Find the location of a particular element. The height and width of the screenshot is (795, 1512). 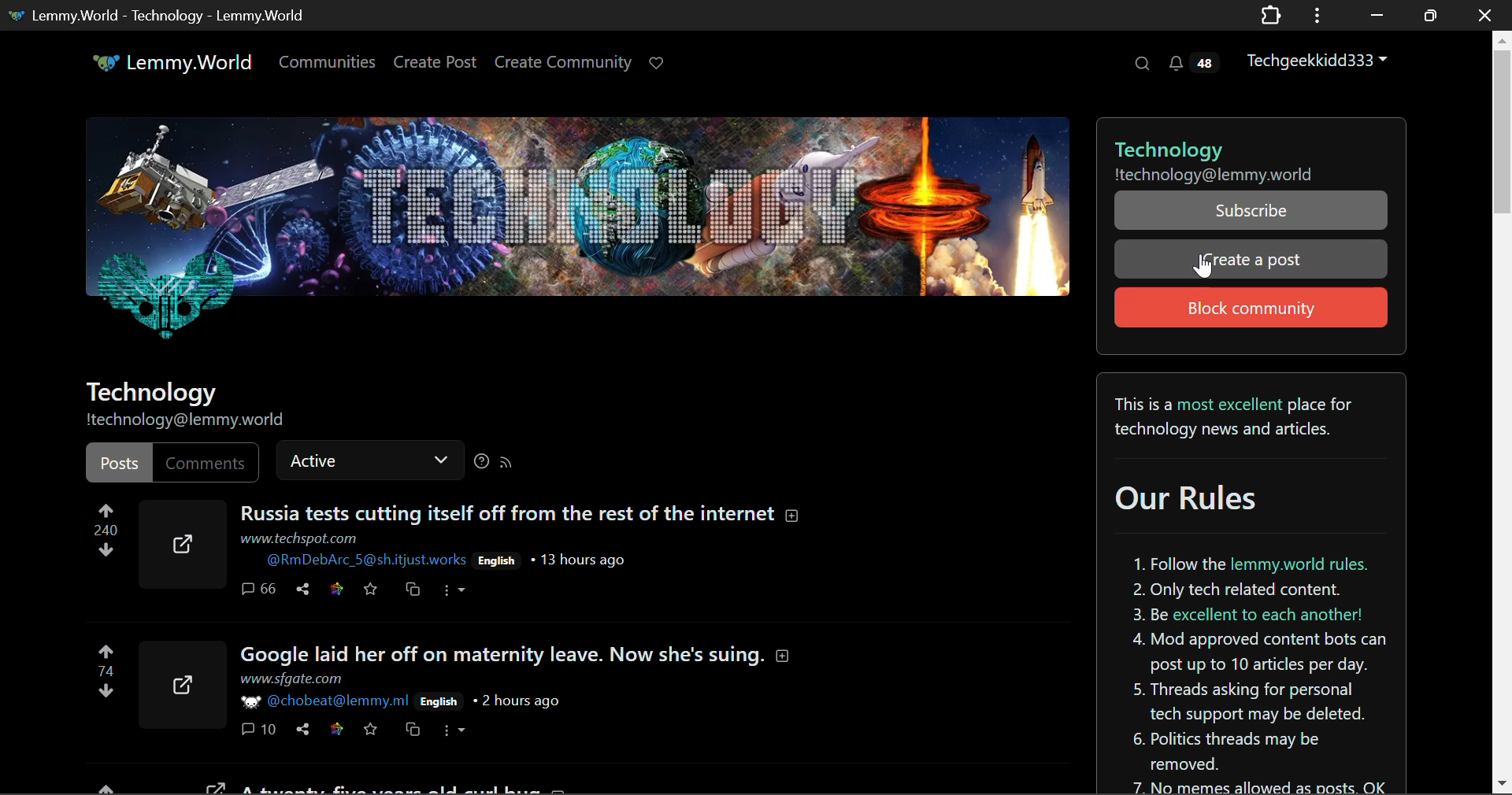

Share is located at coordinates (307, 588).